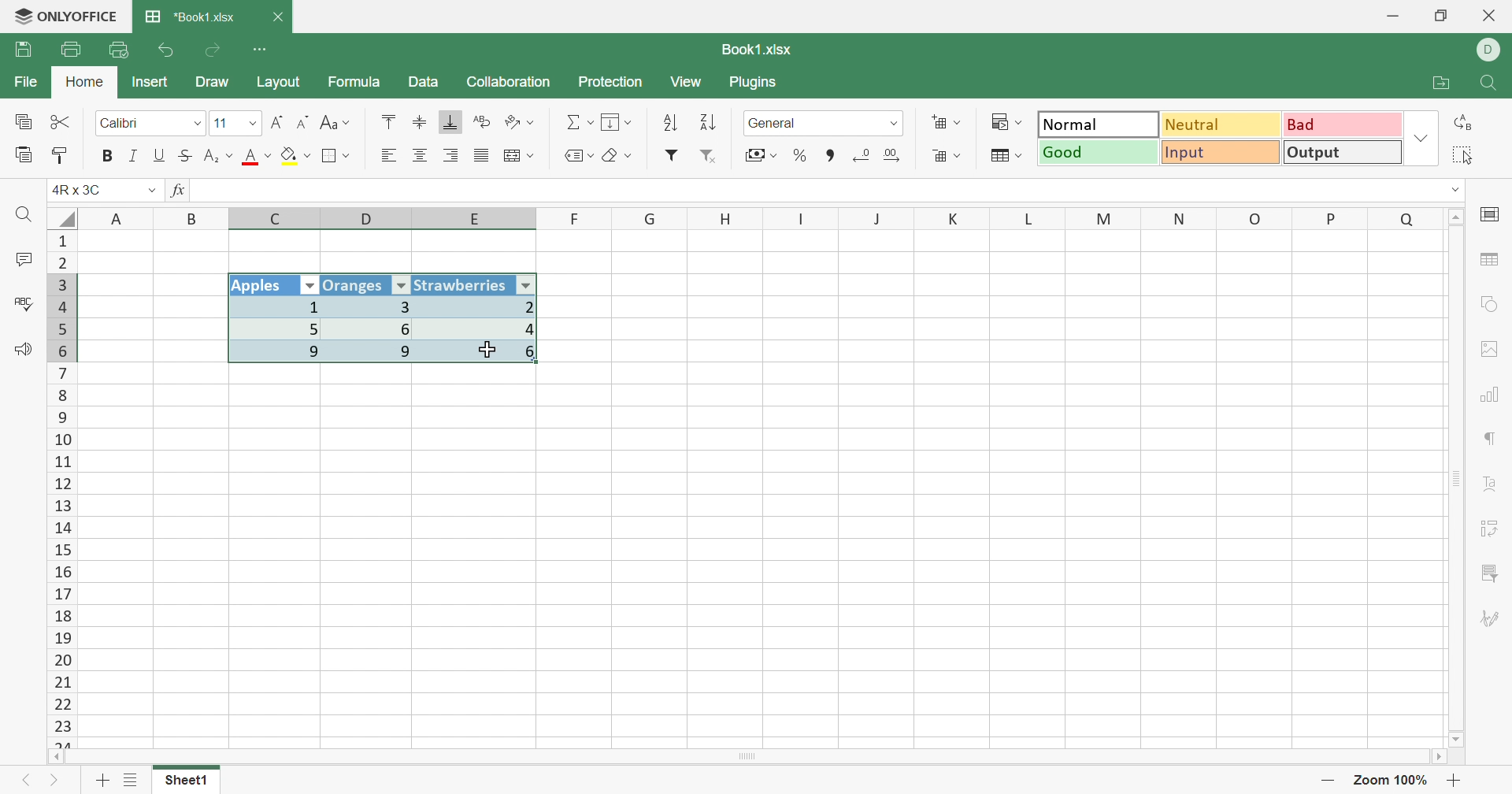 The height and width of the screenshot is (794, 1512). Describe the element at coordinates (62, 317) in the screenshot. I see `Row numbers 3, 4, 5, 6 and 7 highlighted` at that location.